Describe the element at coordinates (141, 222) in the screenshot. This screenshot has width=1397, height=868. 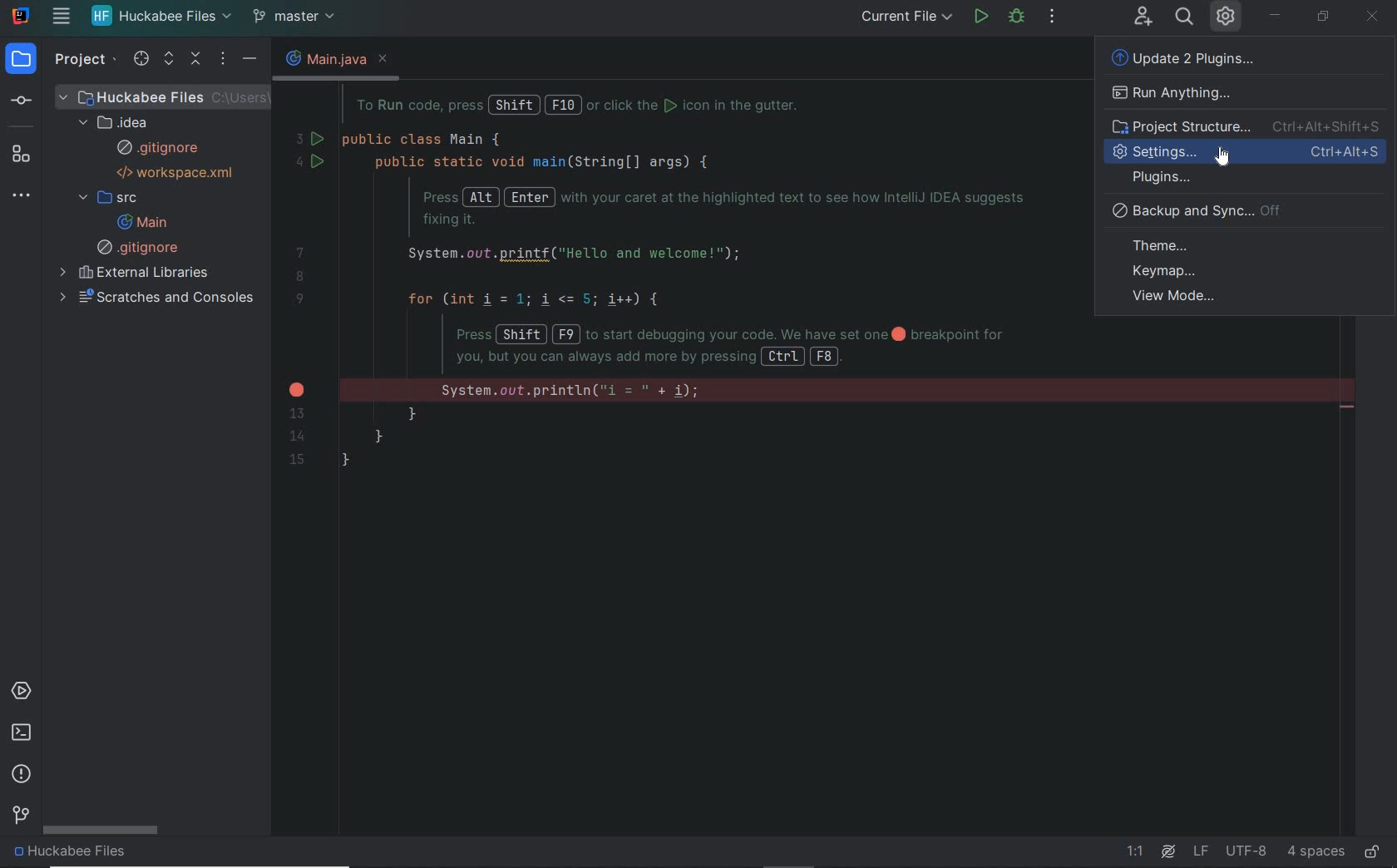
I see `main` at that location.